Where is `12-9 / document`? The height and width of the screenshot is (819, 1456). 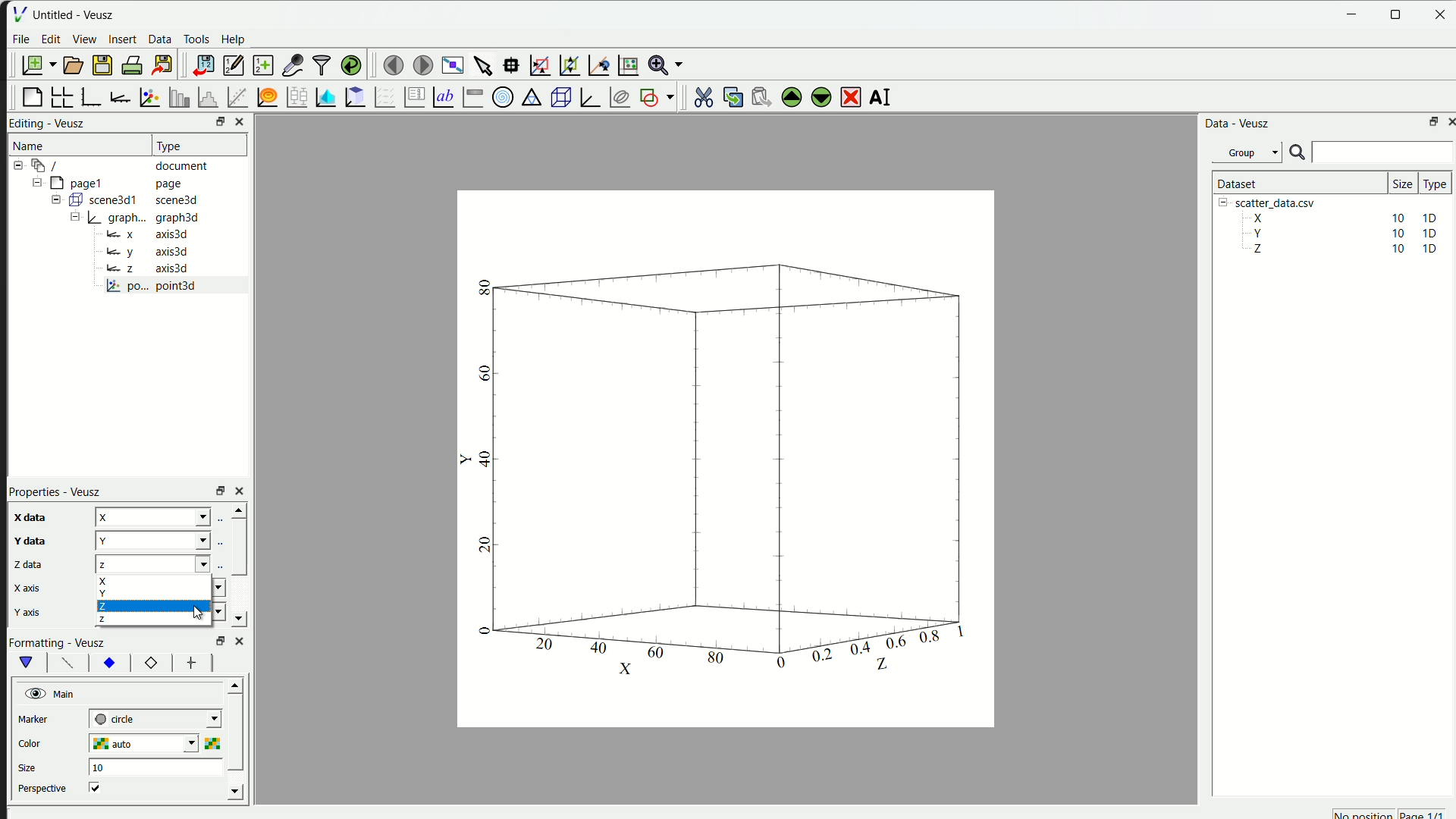
12-9 / document is located at coordinates (109, 165).